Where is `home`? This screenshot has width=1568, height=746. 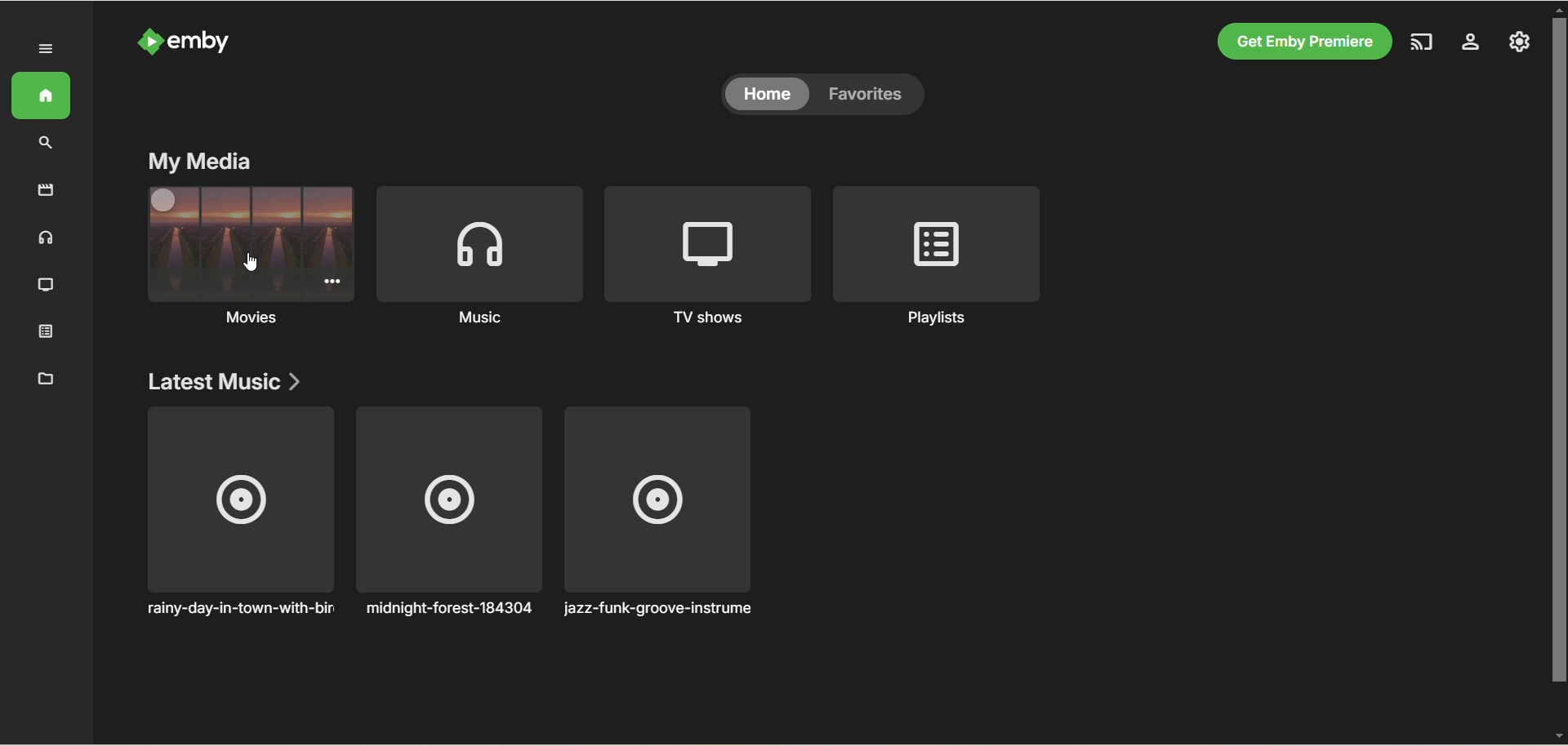 home is located at coordinates (41, 95).